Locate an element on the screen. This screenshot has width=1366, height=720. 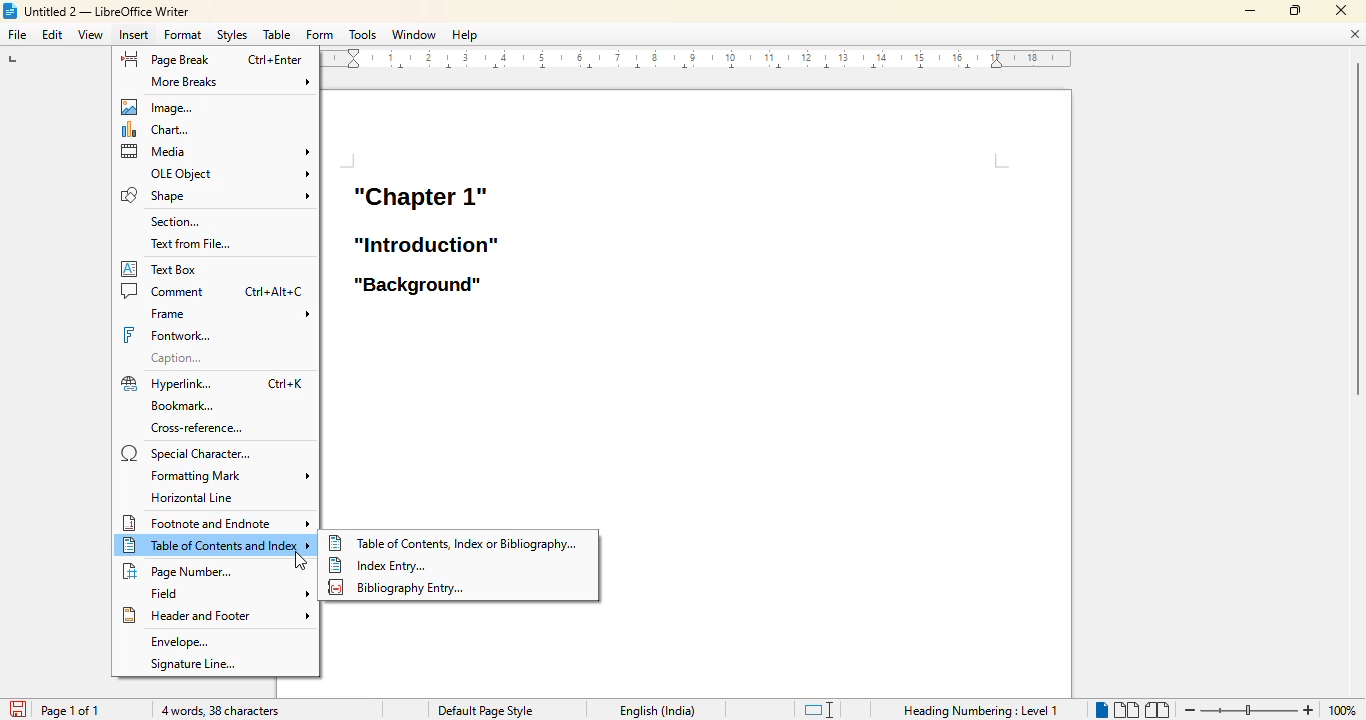
close is located at coordinates (1340, 9).